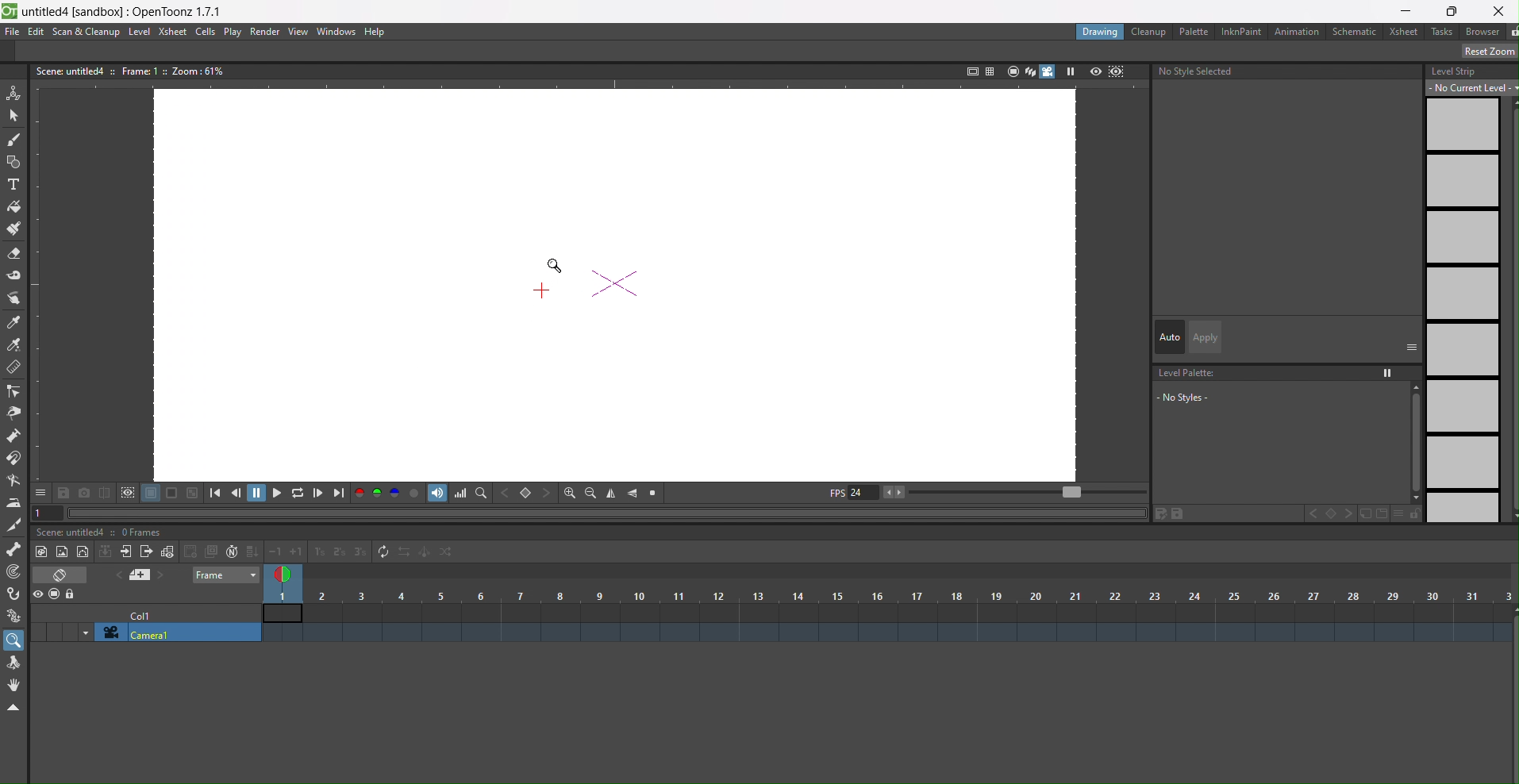  What do you see at coordinates (140, 31) in the screenshot?
I see `level` at bounding box center [140, 31].